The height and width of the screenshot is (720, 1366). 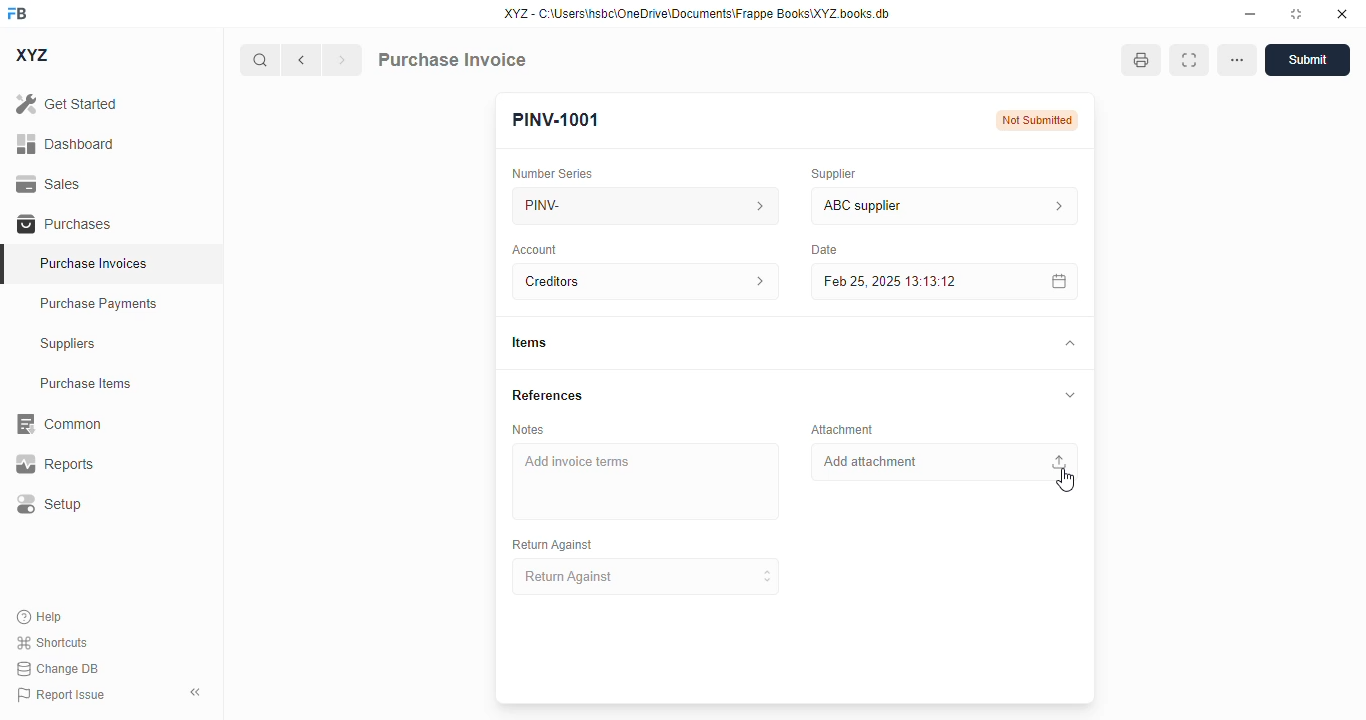 I want to click on reports, so click(x=55, y=464).